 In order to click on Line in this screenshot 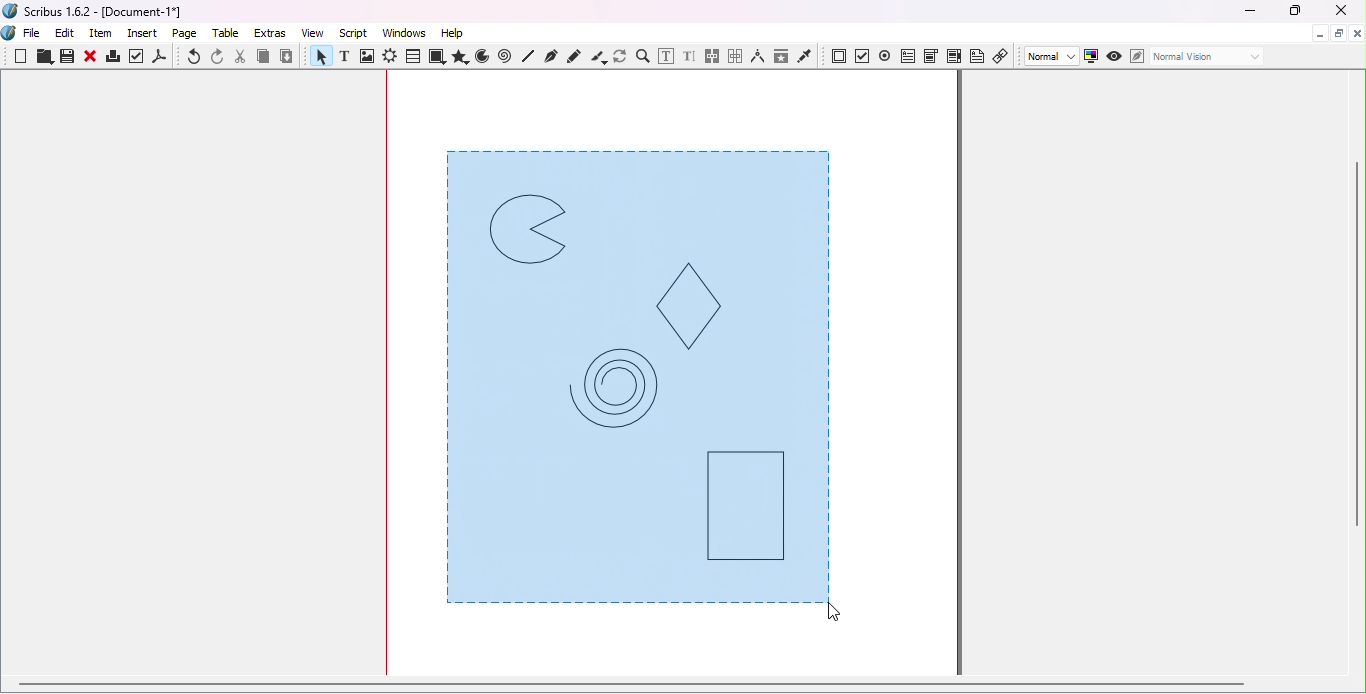, I will do `click(529, 56)`.